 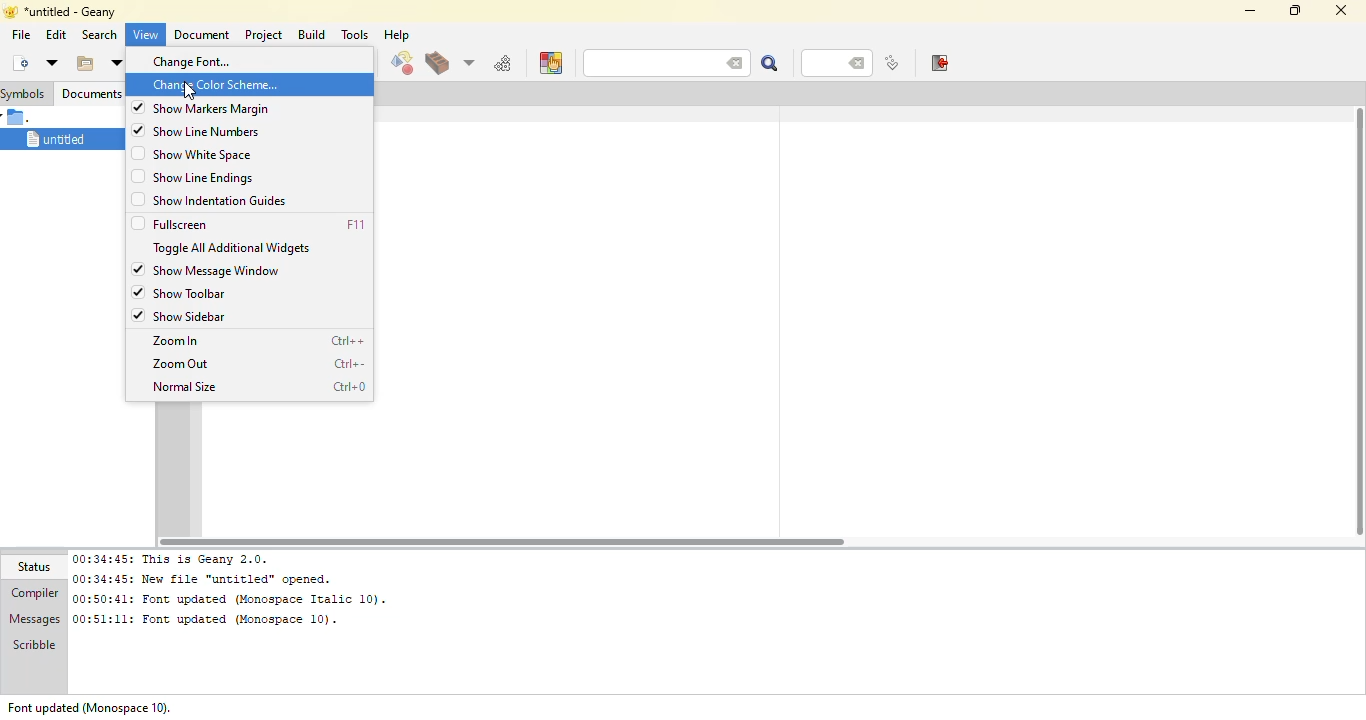 I want to click on file, so click(x=20, y=34).